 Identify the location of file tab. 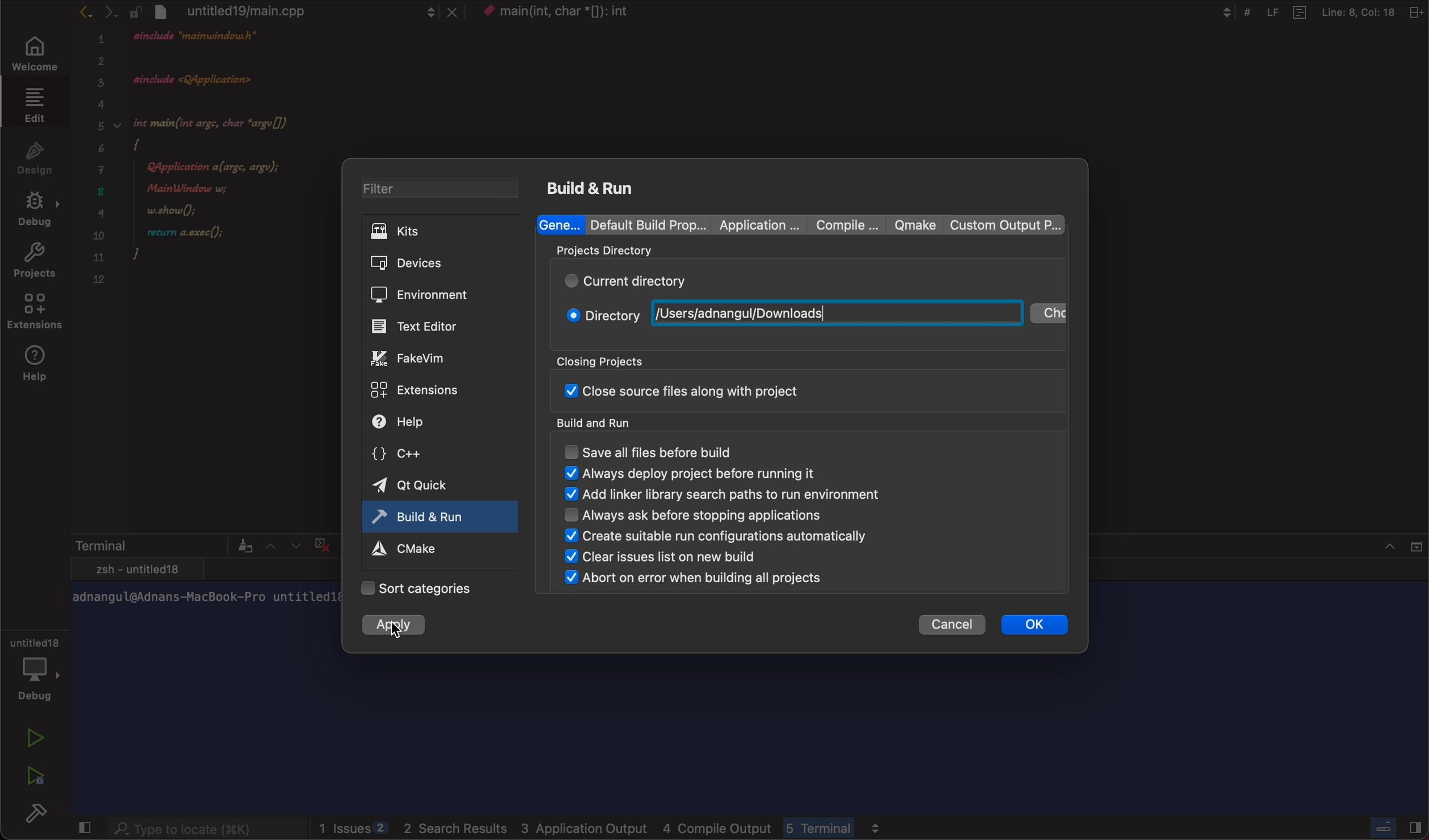
(306, 11).